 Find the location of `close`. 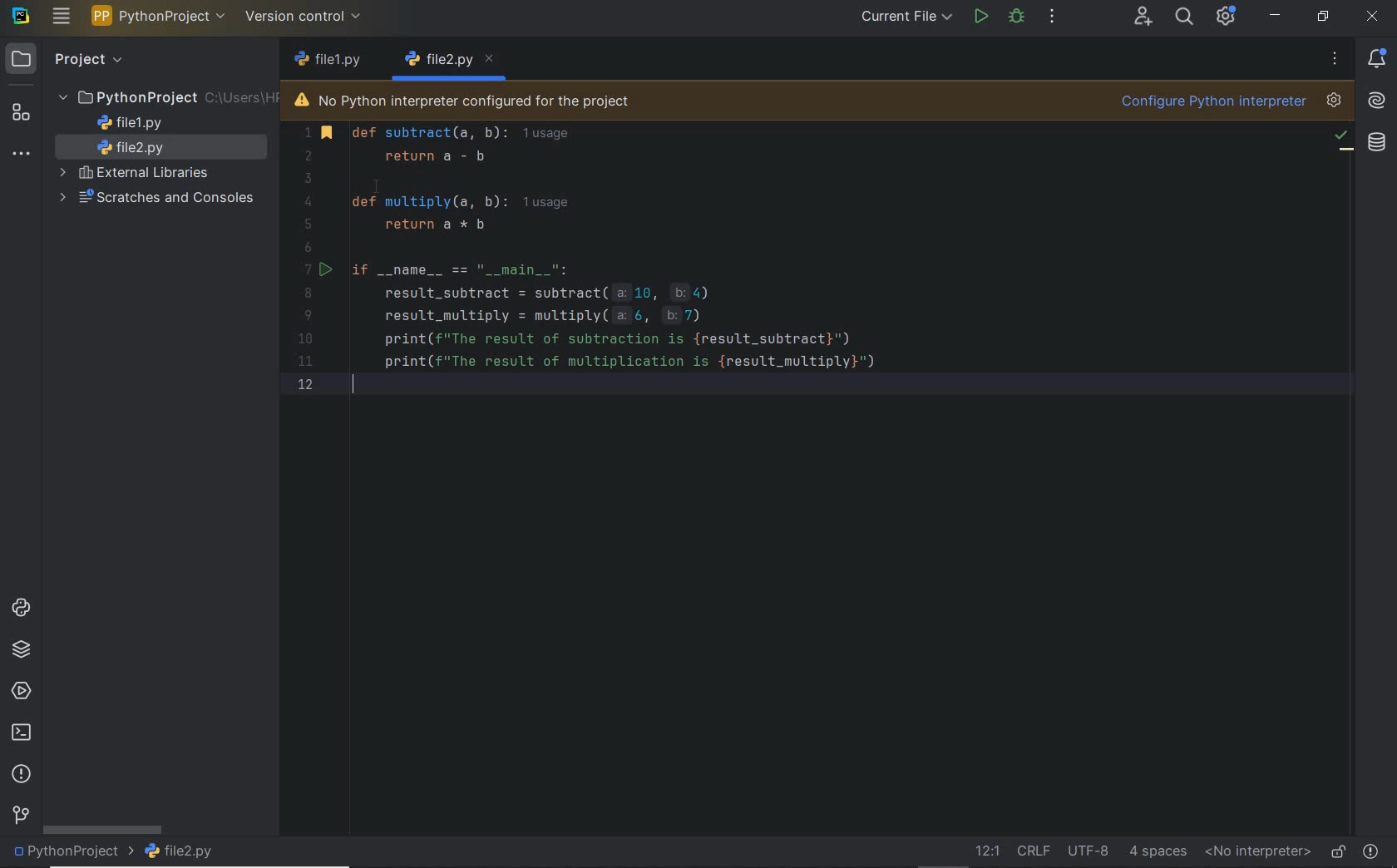

close is located at coordinates (493, 60).